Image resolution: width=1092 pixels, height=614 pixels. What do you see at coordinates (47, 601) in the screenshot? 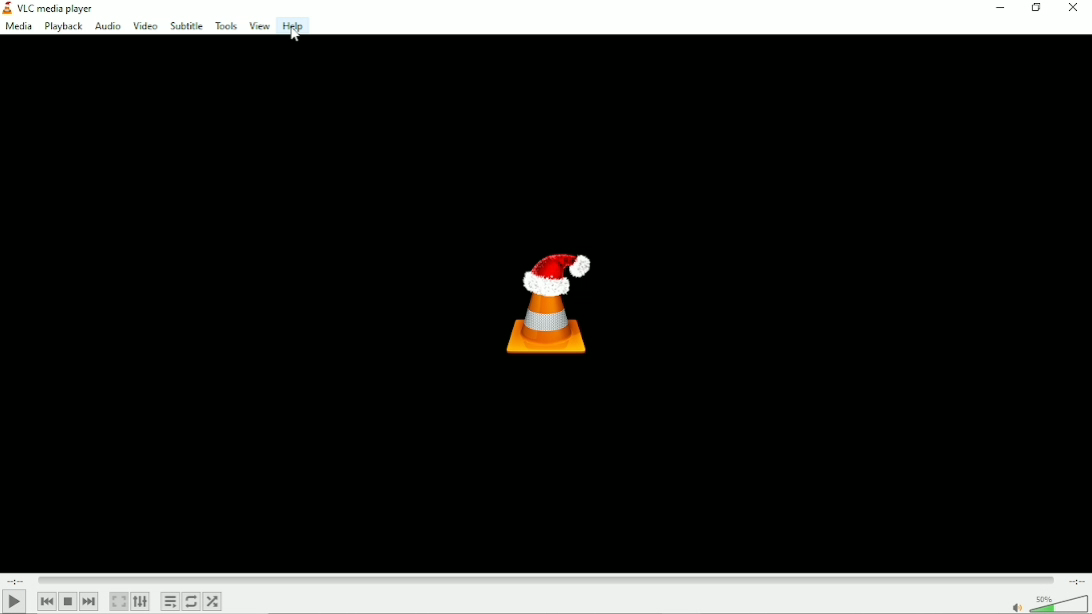
I see `Previous` at bounding box center [47, 601].